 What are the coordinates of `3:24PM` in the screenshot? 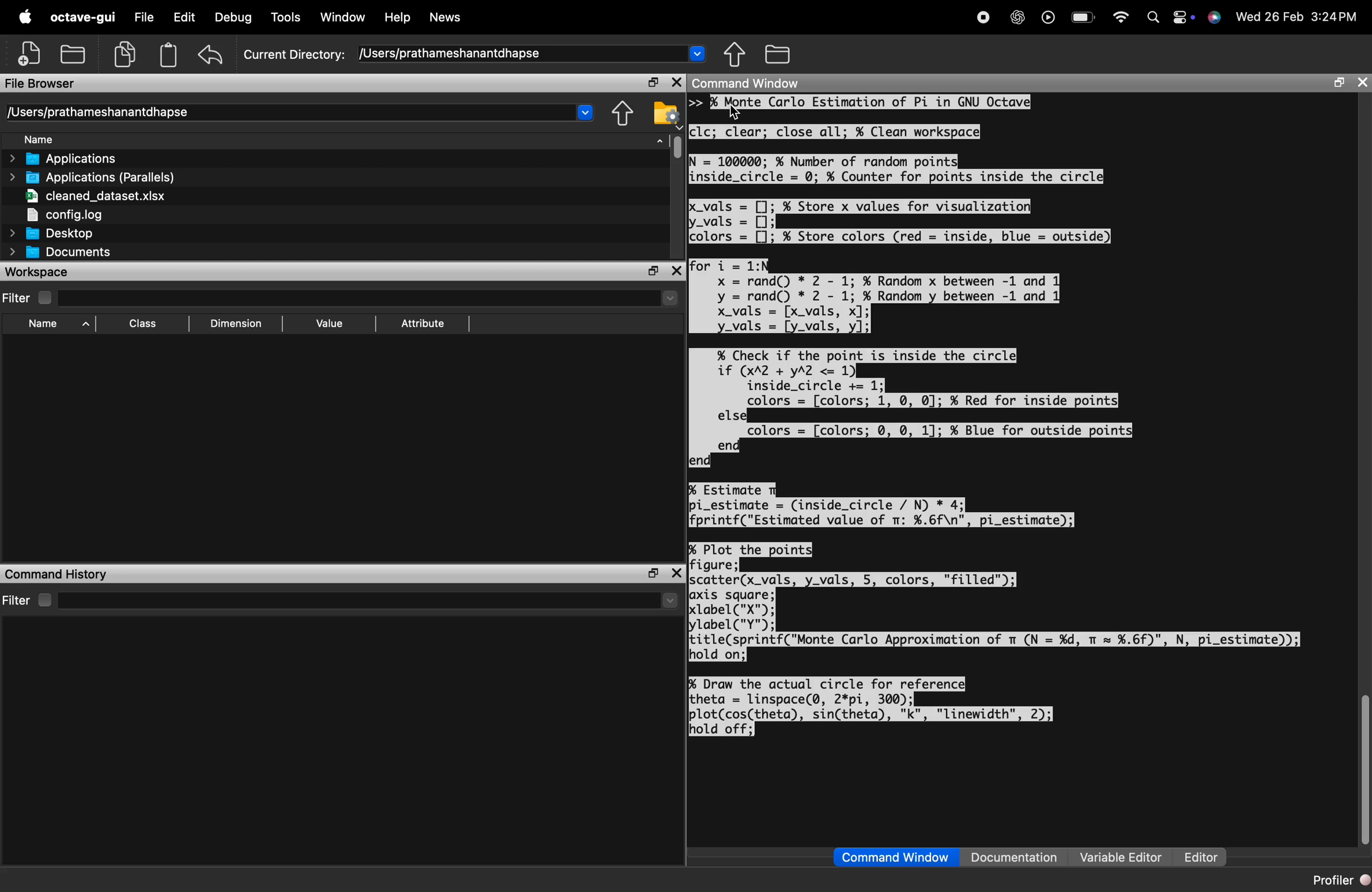 It's located at (1336, 17).